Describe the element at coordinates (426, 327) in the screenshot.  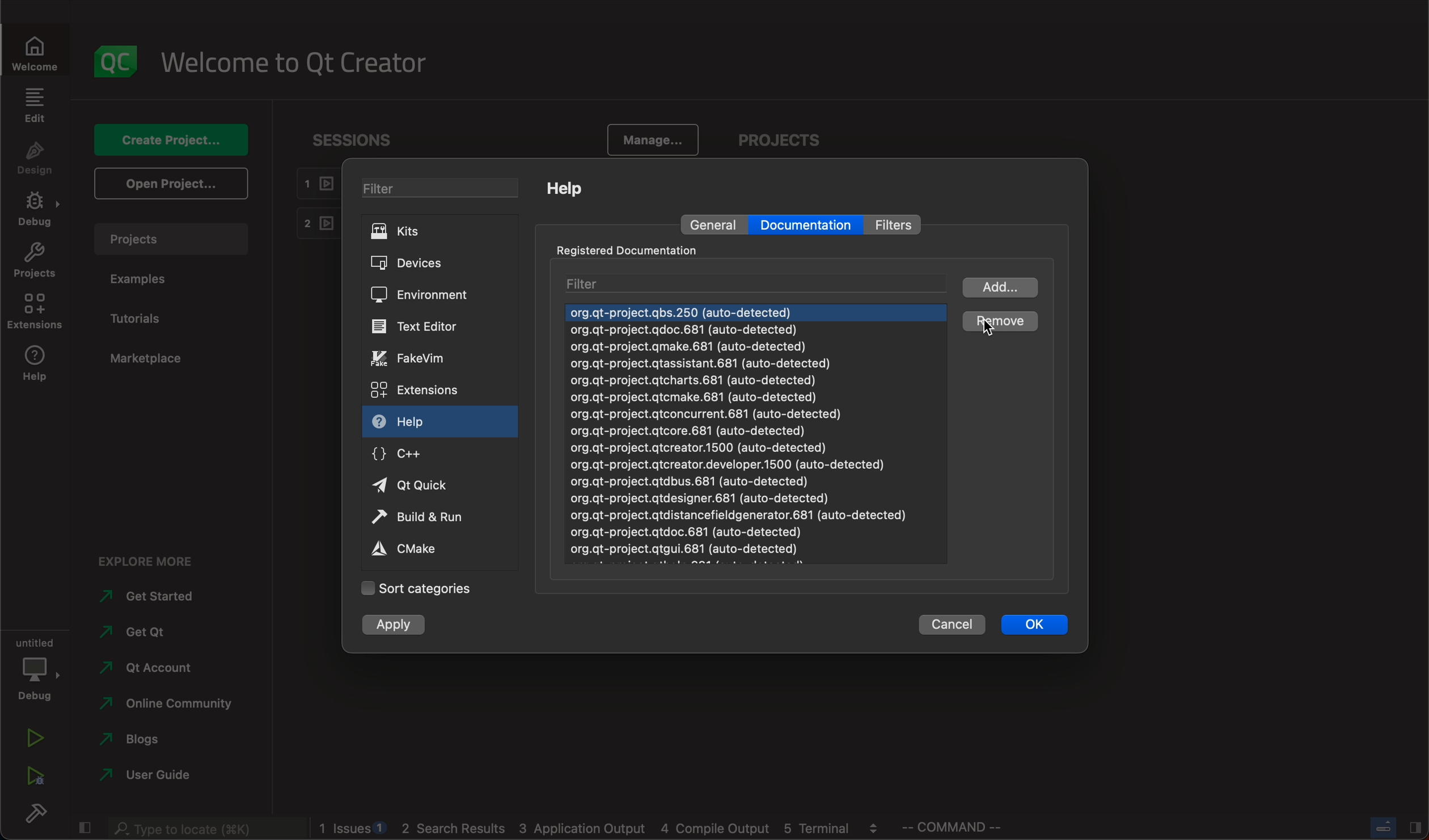
I see `text` at that location.